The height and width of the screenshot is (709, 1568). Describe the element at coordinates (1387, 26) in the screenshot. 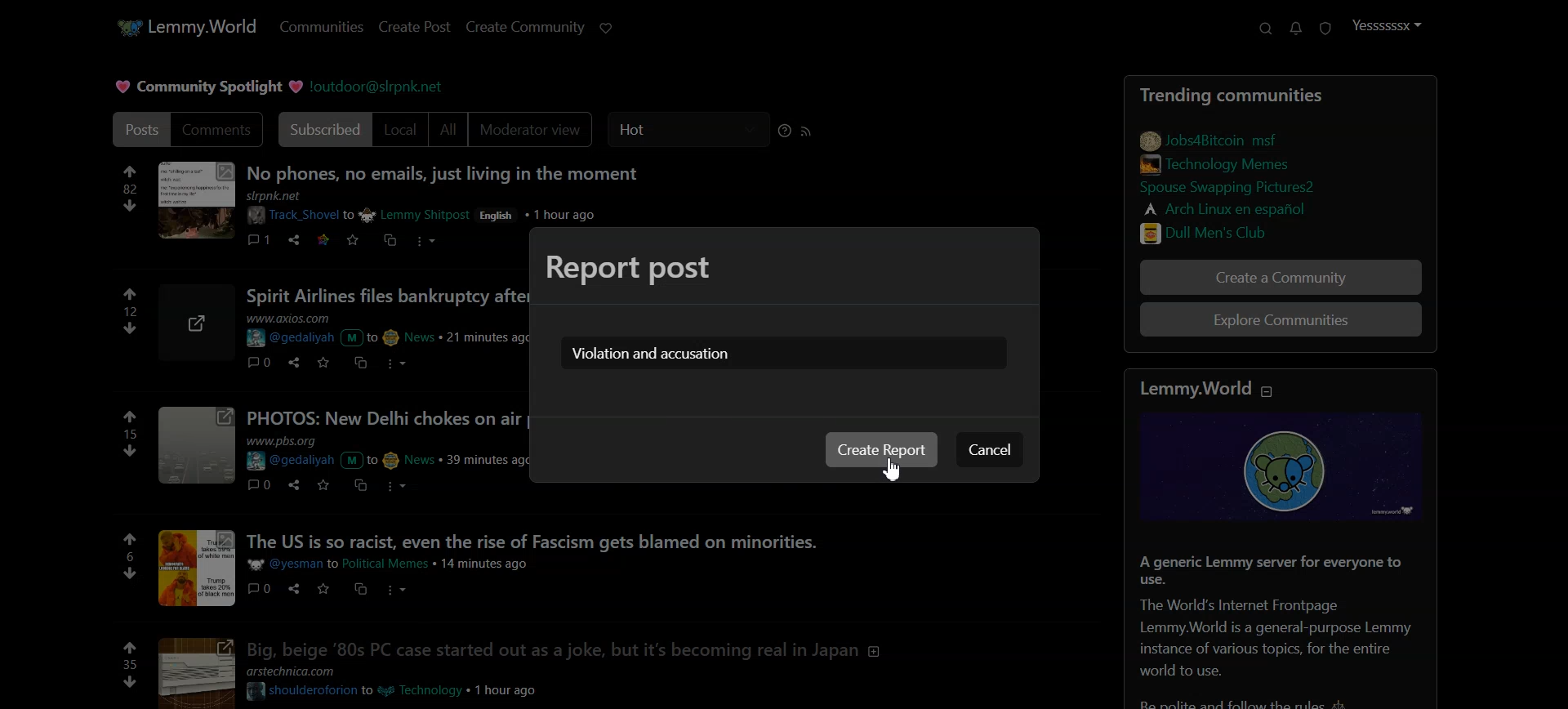

I see `Profile` at that location.